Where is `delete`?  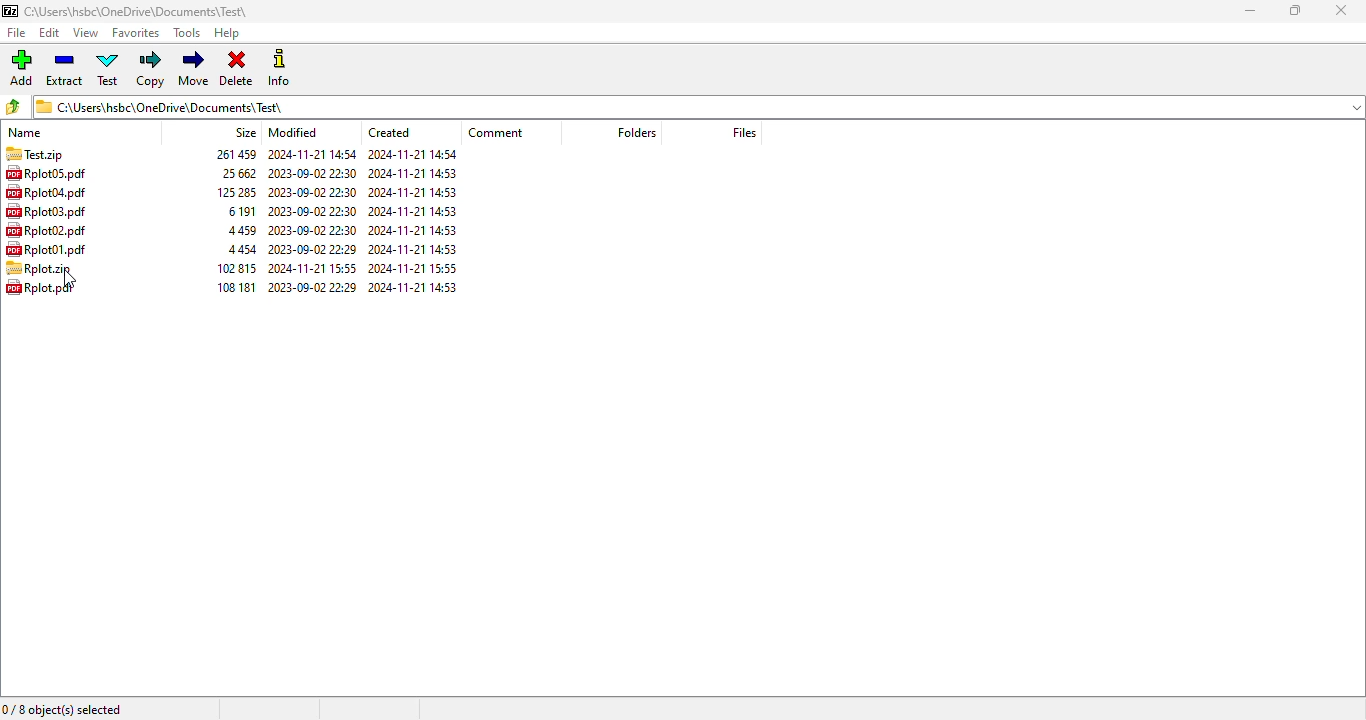 delete is located at coordinates (237, 68).